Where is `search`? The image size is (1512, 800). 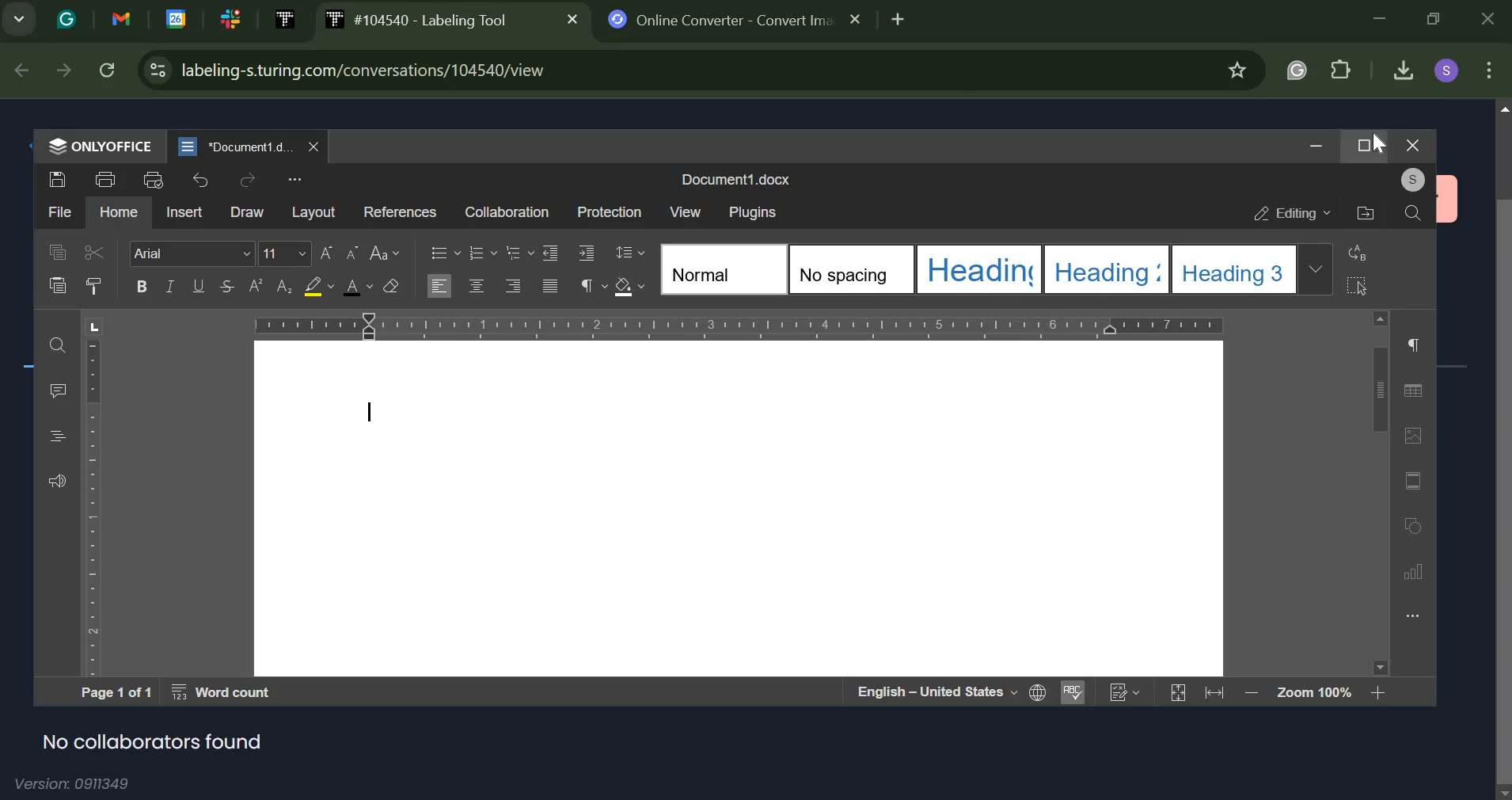
search is located at coordinates (1414, 212).